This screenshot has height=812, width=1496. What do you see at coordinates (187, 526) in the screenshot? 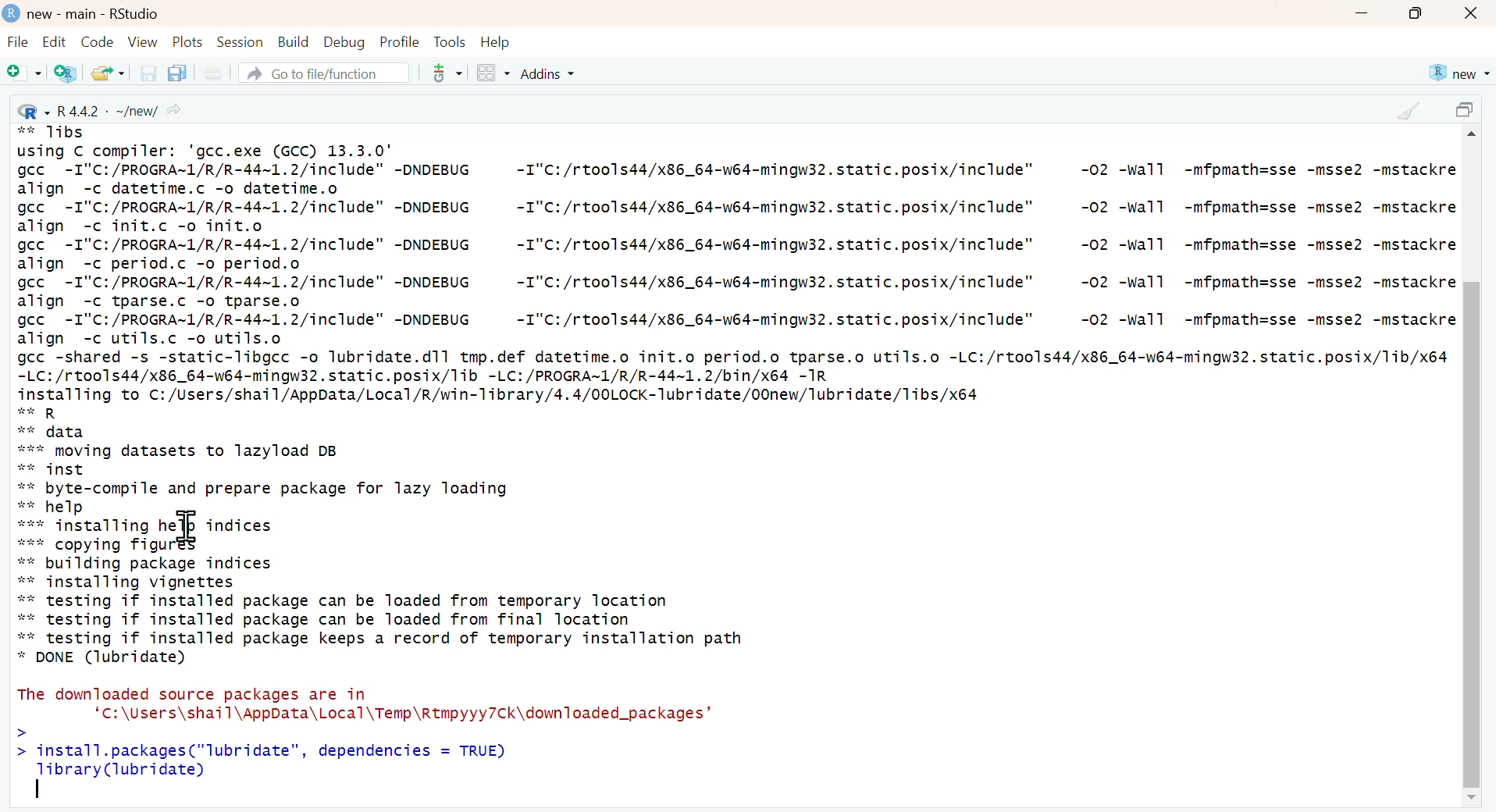
I see `cursor` at bounding box center [187, 526].